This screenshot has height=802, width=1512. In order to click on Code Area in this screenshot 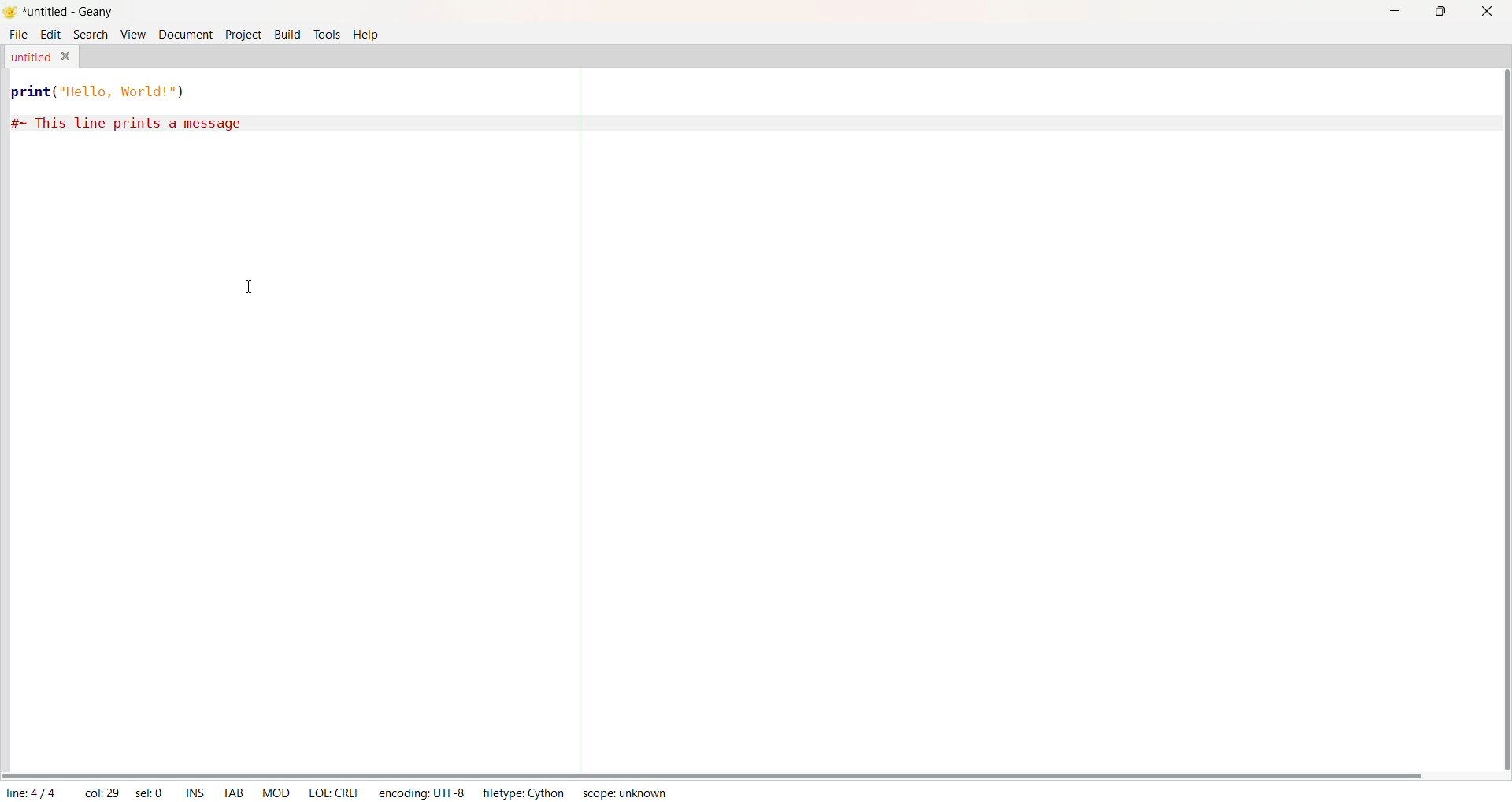, I will do `click(729, 449)`.